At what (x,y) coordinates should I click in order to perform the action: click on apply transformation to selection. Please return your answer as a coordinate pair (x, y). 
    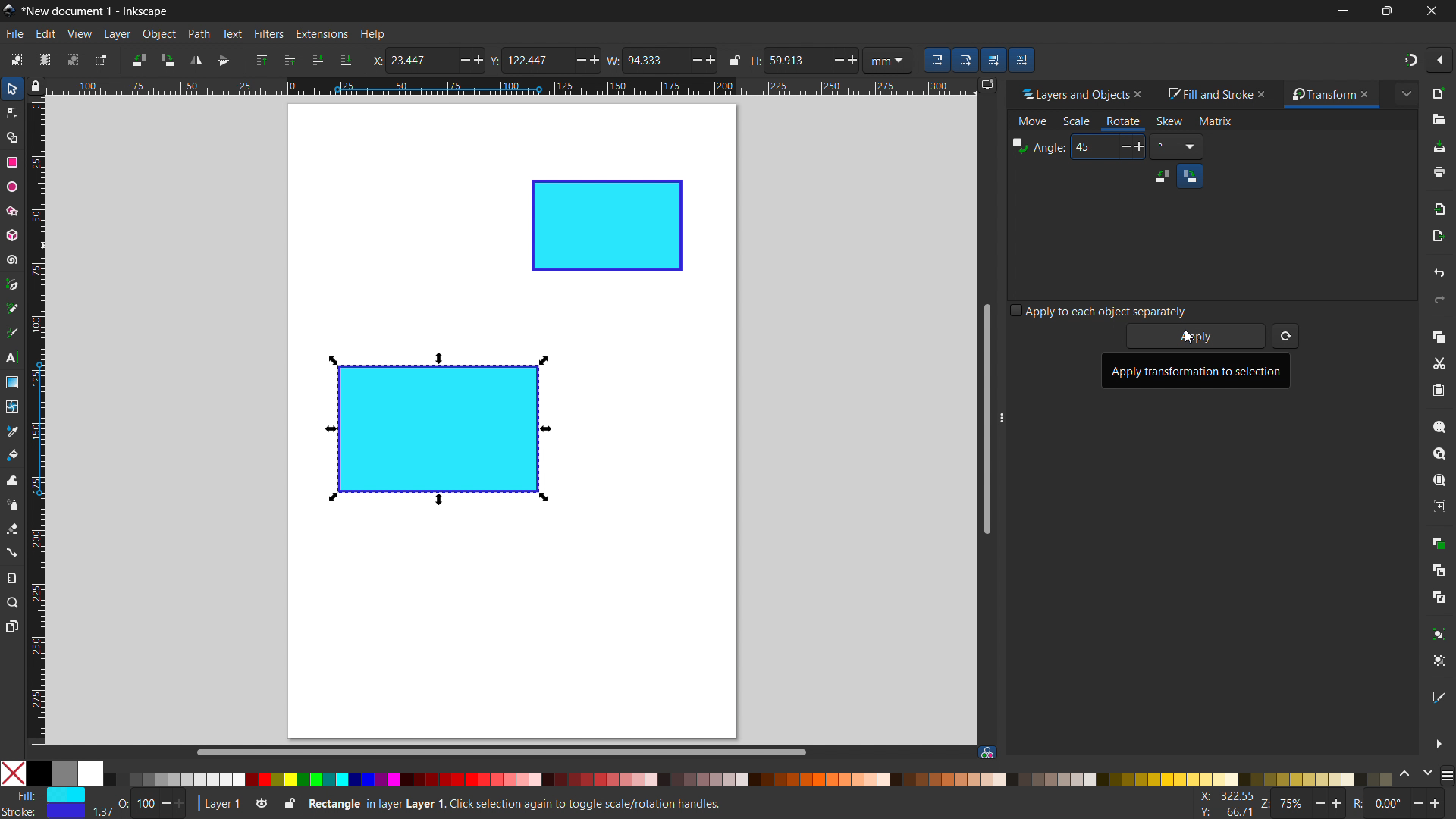
    Looking at the image, I should click on (1196, 370).